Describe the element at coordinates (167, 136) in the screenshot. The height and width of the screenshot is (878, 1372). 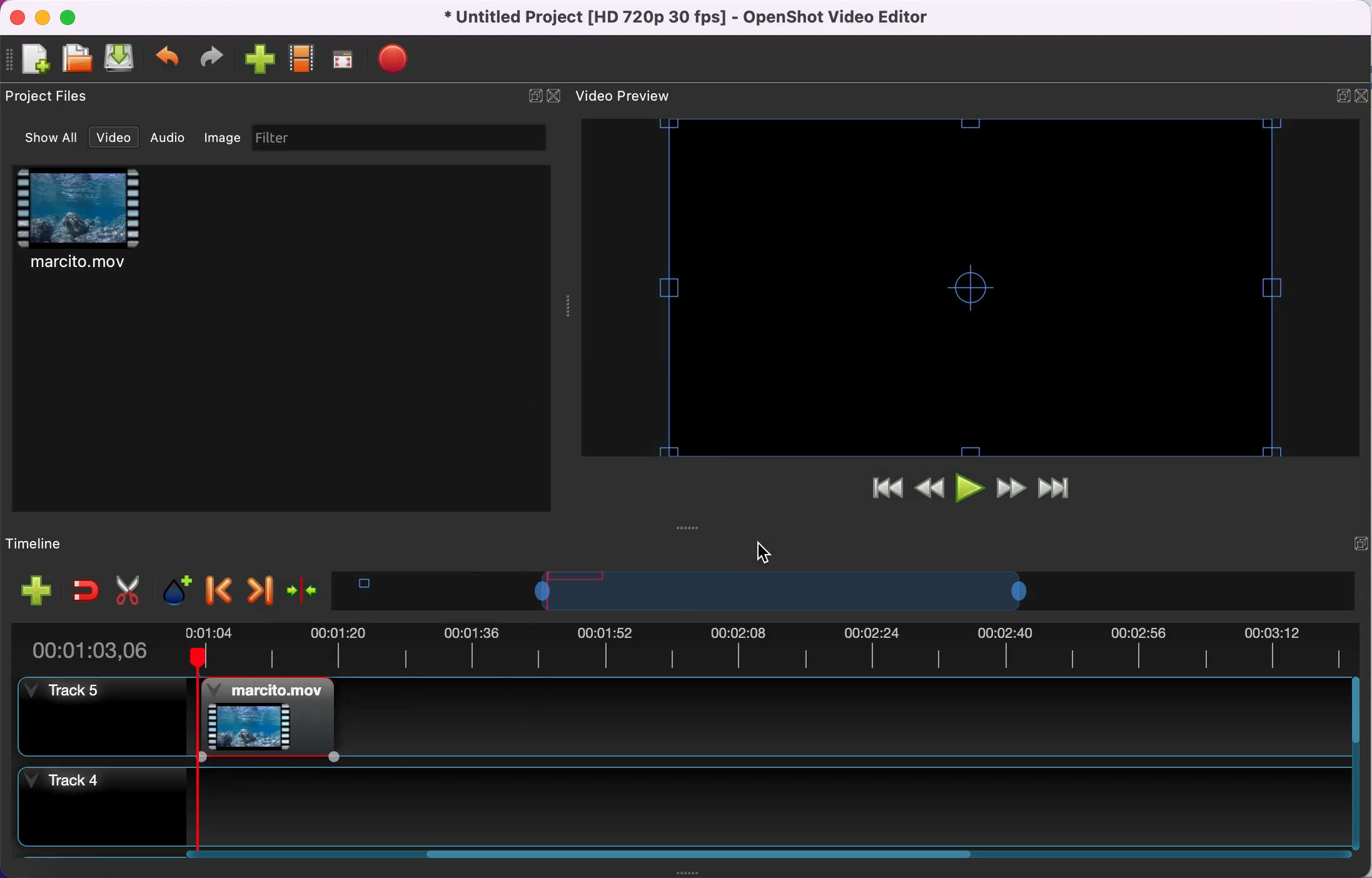
I see `audio` at that location.